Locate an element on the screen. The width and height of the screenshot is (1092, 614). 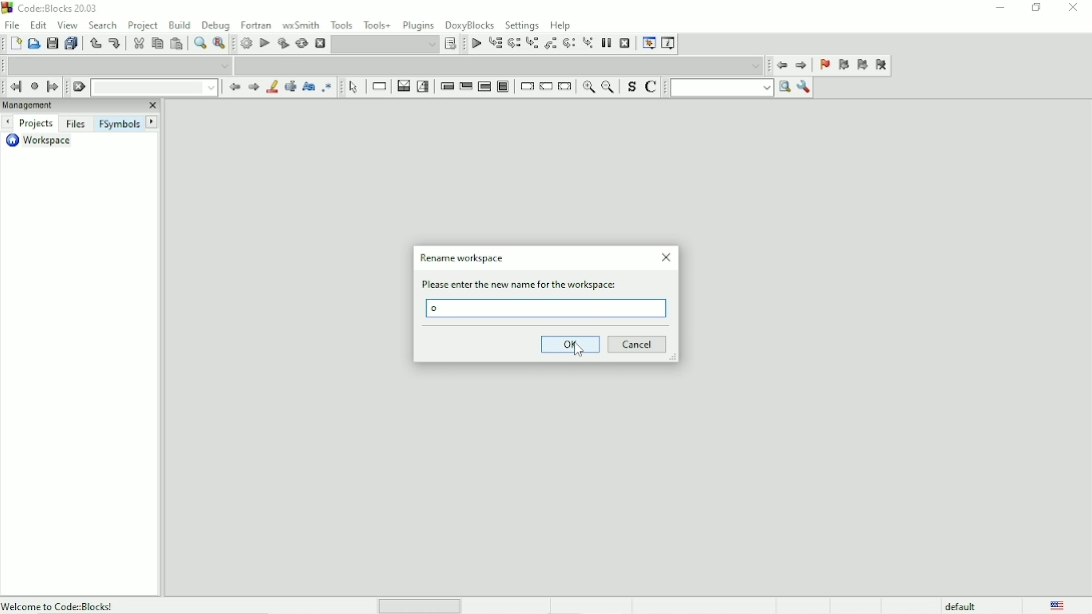
Stop debugger is located at coordinates (625, 43).